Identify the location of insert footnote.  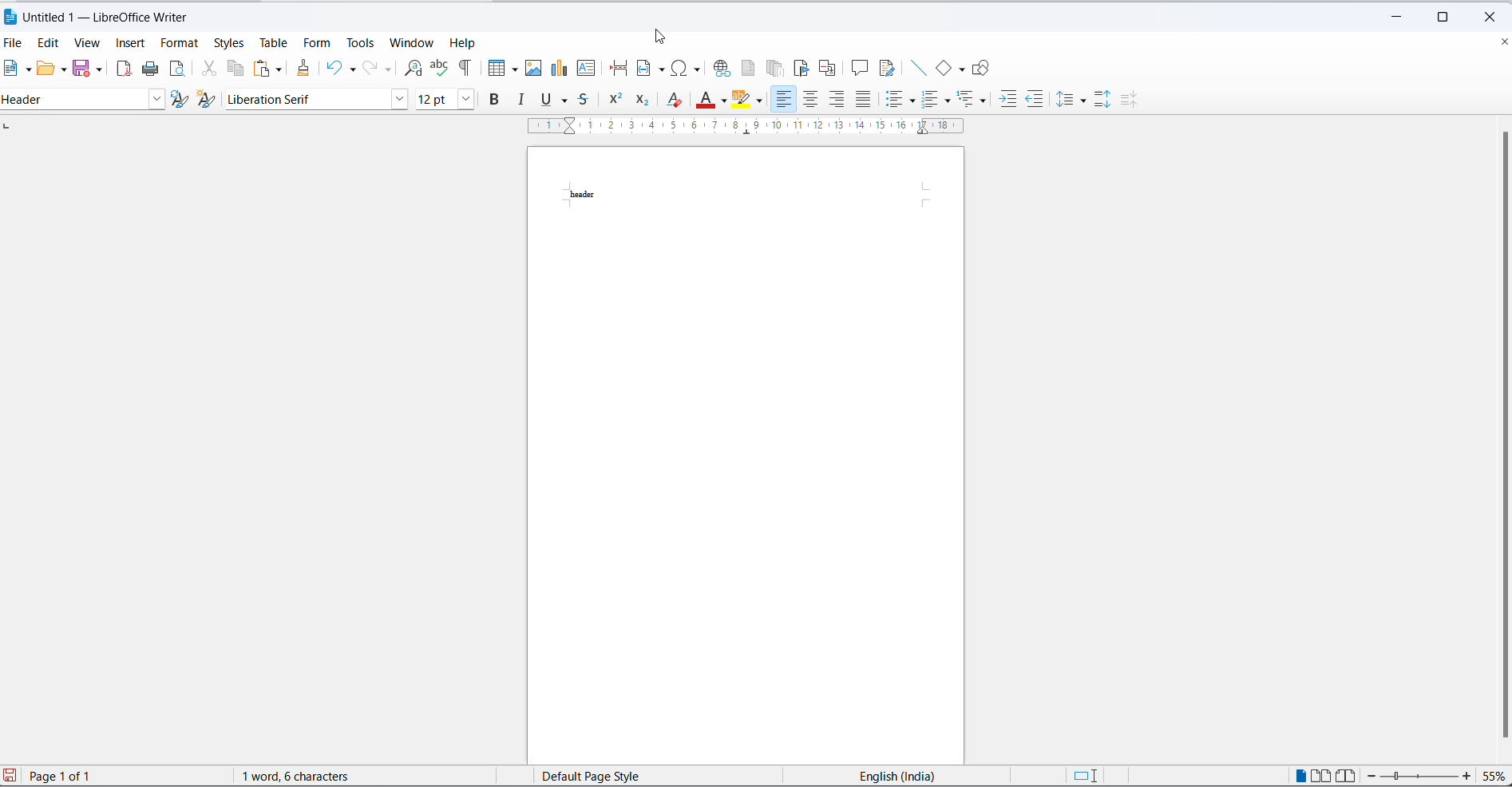
(747, 69).